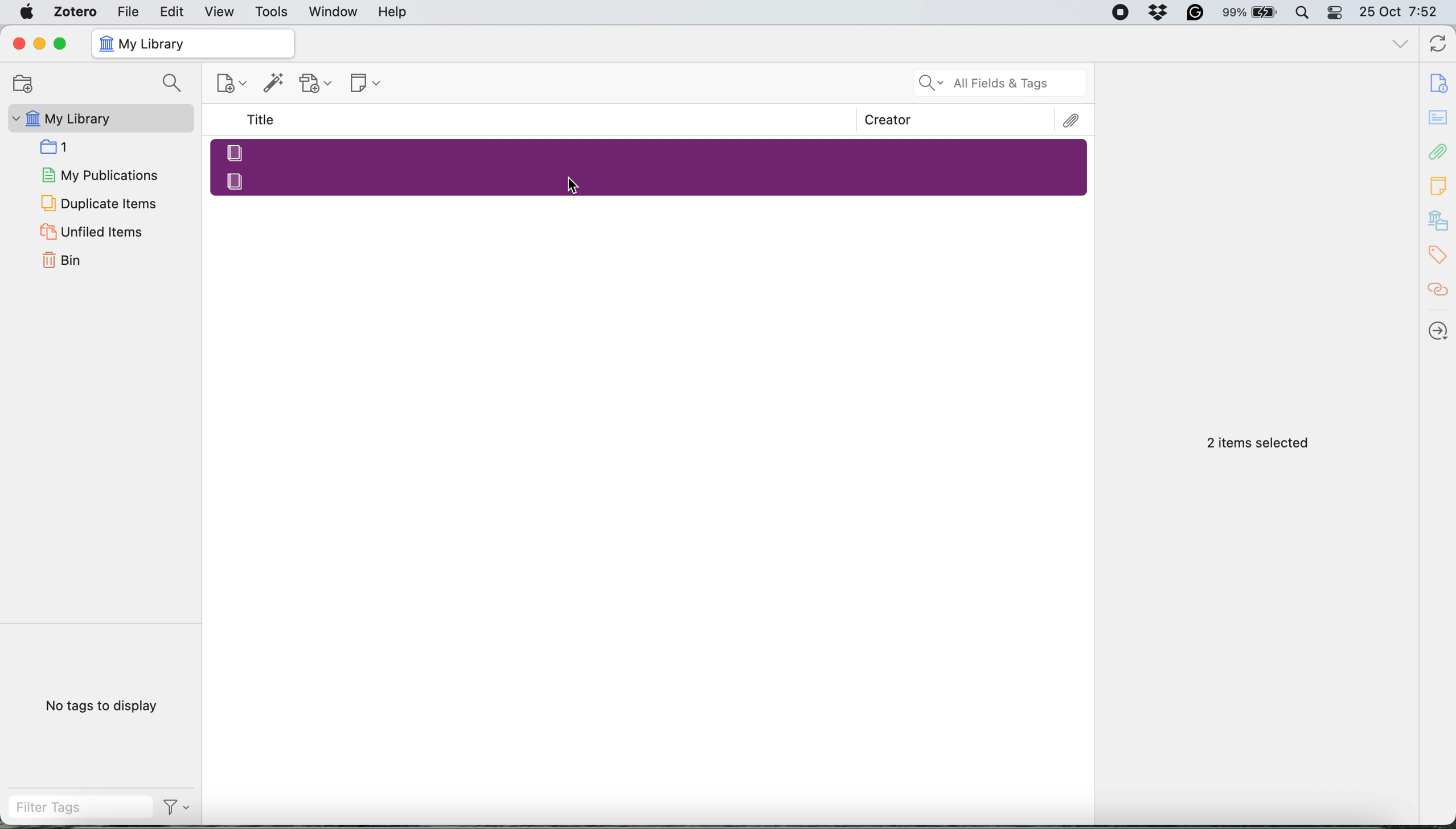 The width and height of the screenshot is (1456, 829). I want to click on Notes, so click(1439, 183).